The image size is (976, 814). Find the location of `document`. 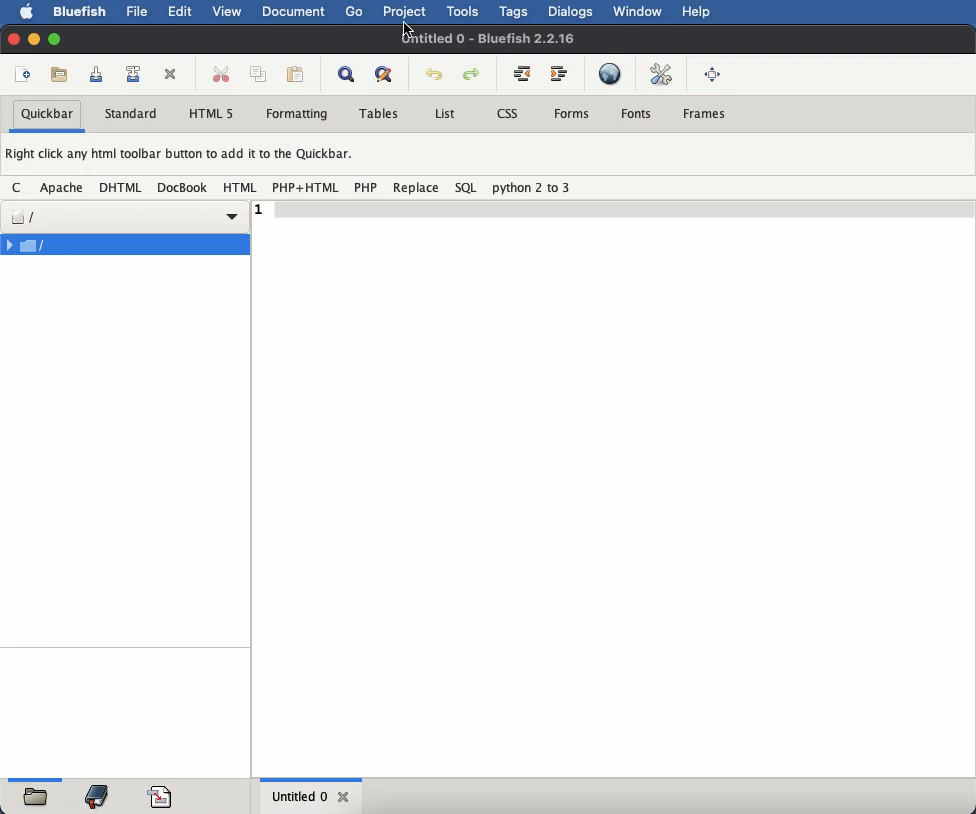

document is located at coordinates (293, 10).